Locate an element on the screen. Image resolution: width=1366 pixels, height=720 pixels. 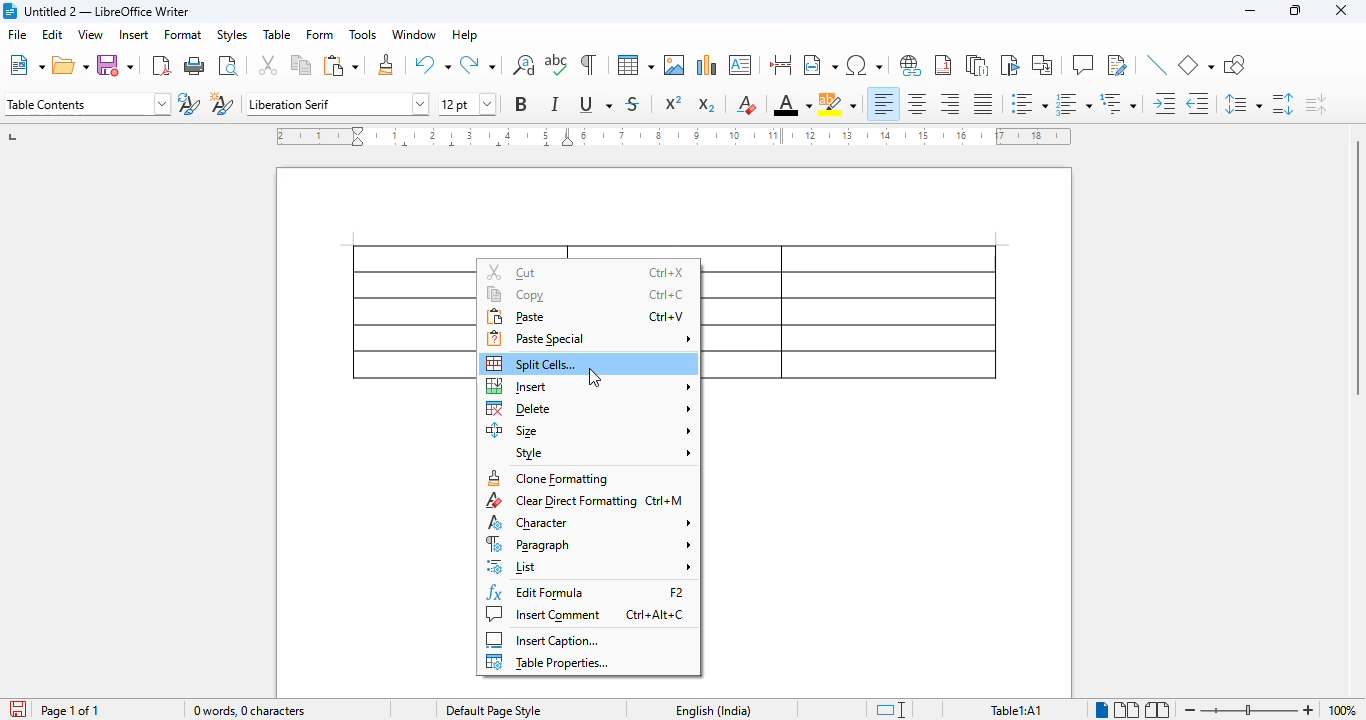
spelling is located at coordinates (557, 65).